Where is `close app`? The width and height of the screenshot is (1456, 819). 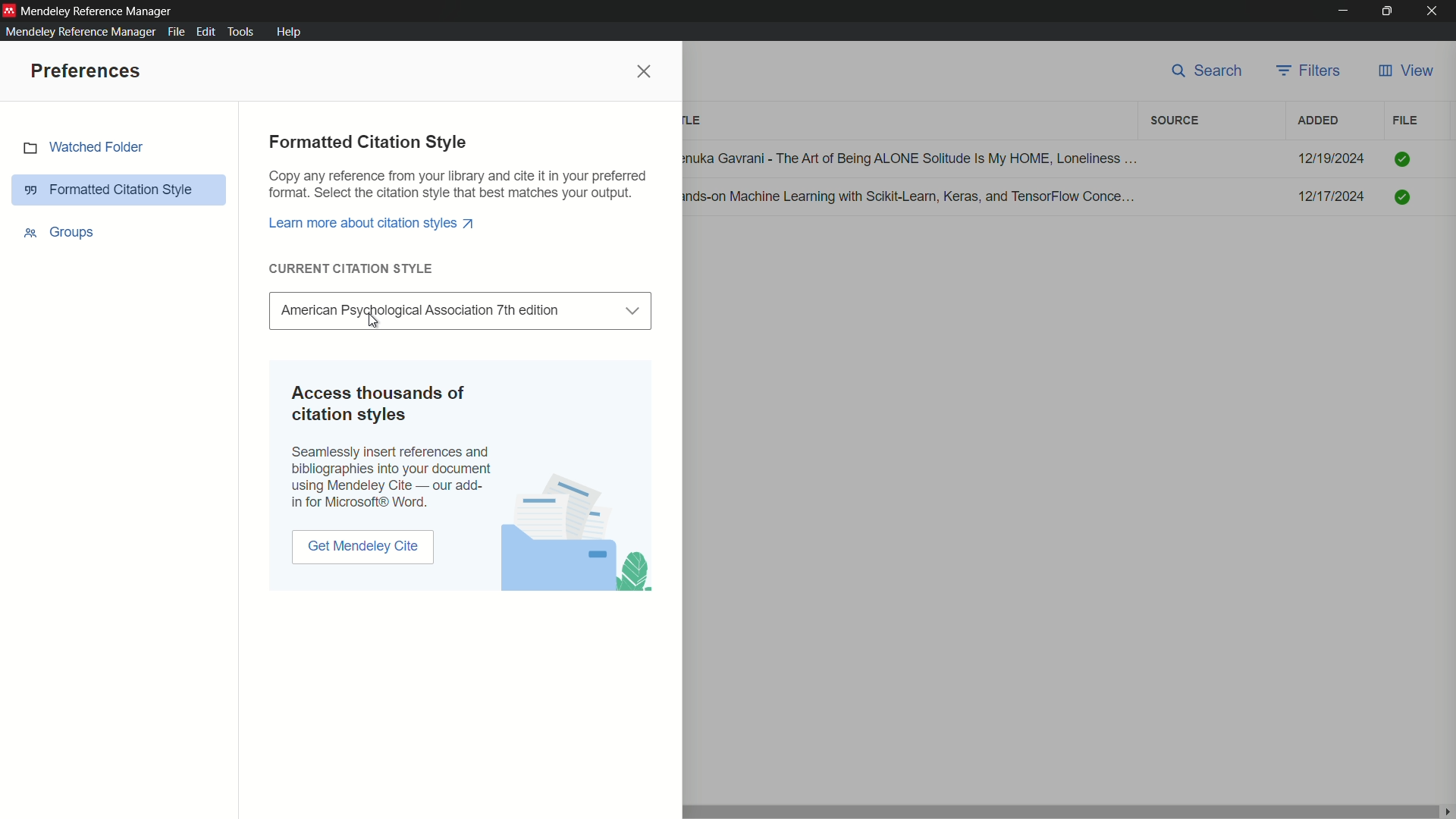 close app is located at coordinates (1436, 11).